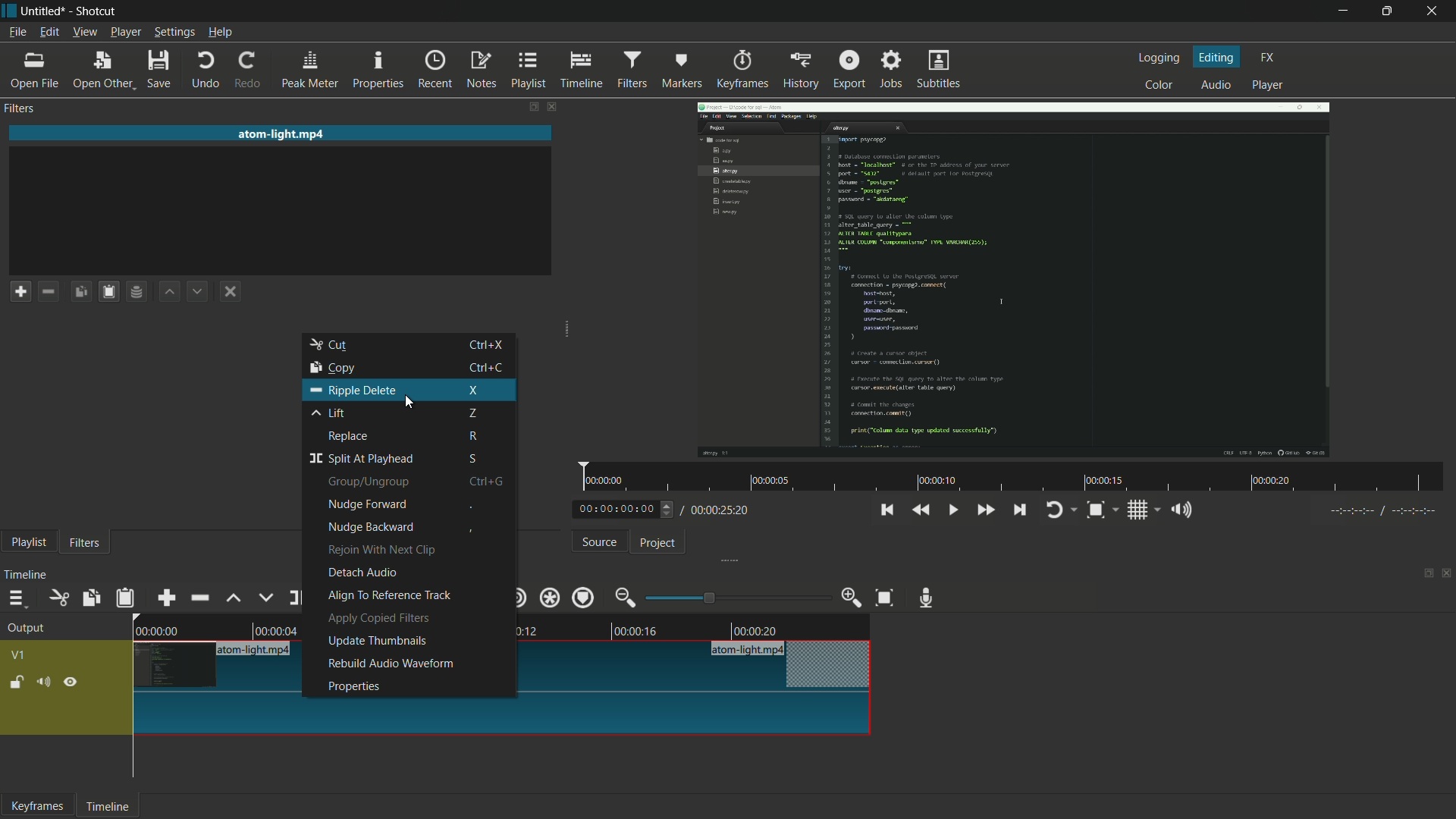 Image resolution: width=1456 pixels, height=819 pixels. I want to click on subtitles, so click(939, 68).